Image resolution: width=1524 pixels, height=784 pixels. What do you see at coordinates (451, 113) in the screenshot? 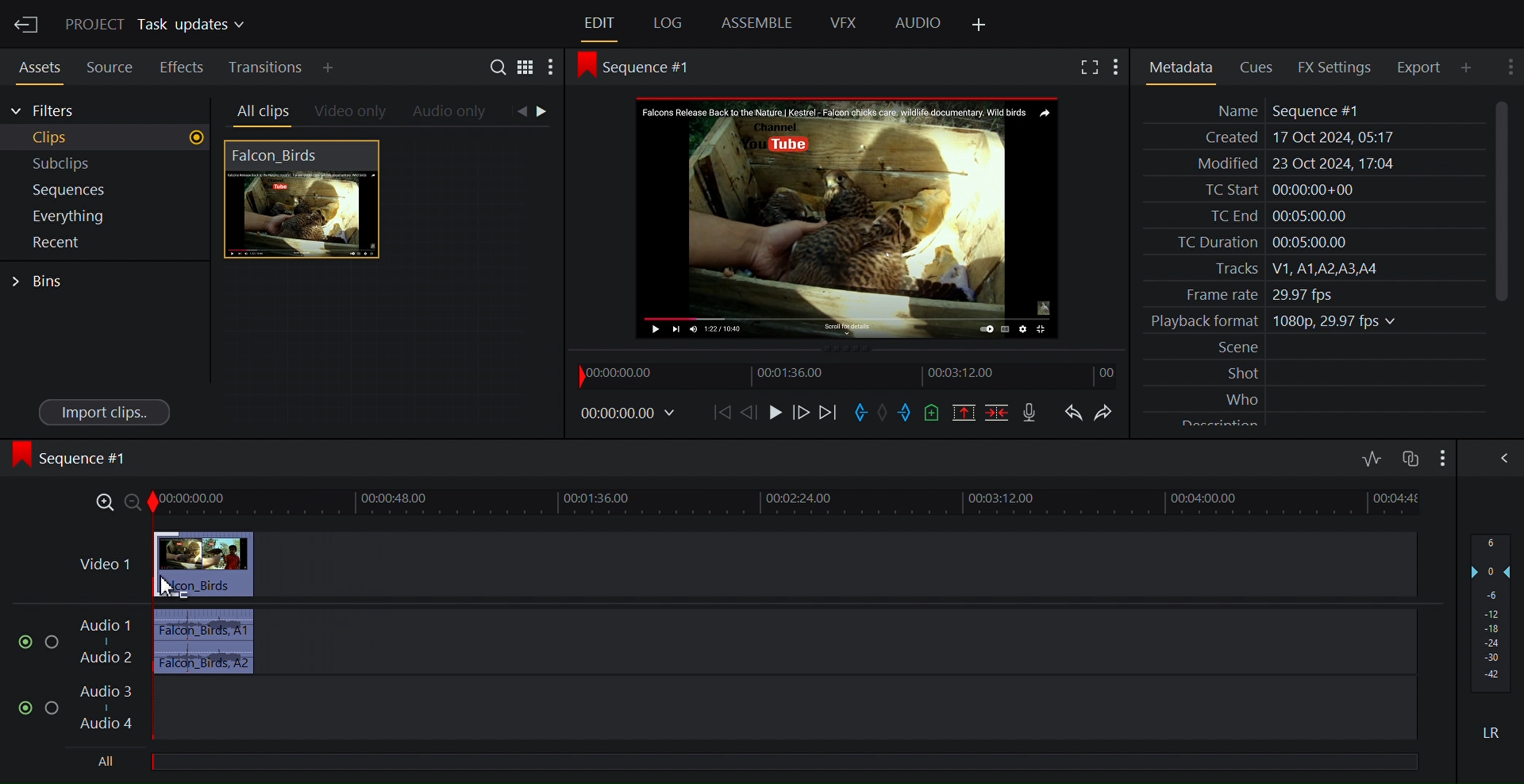
I see `Audio only` at bounding box center [451, 113].